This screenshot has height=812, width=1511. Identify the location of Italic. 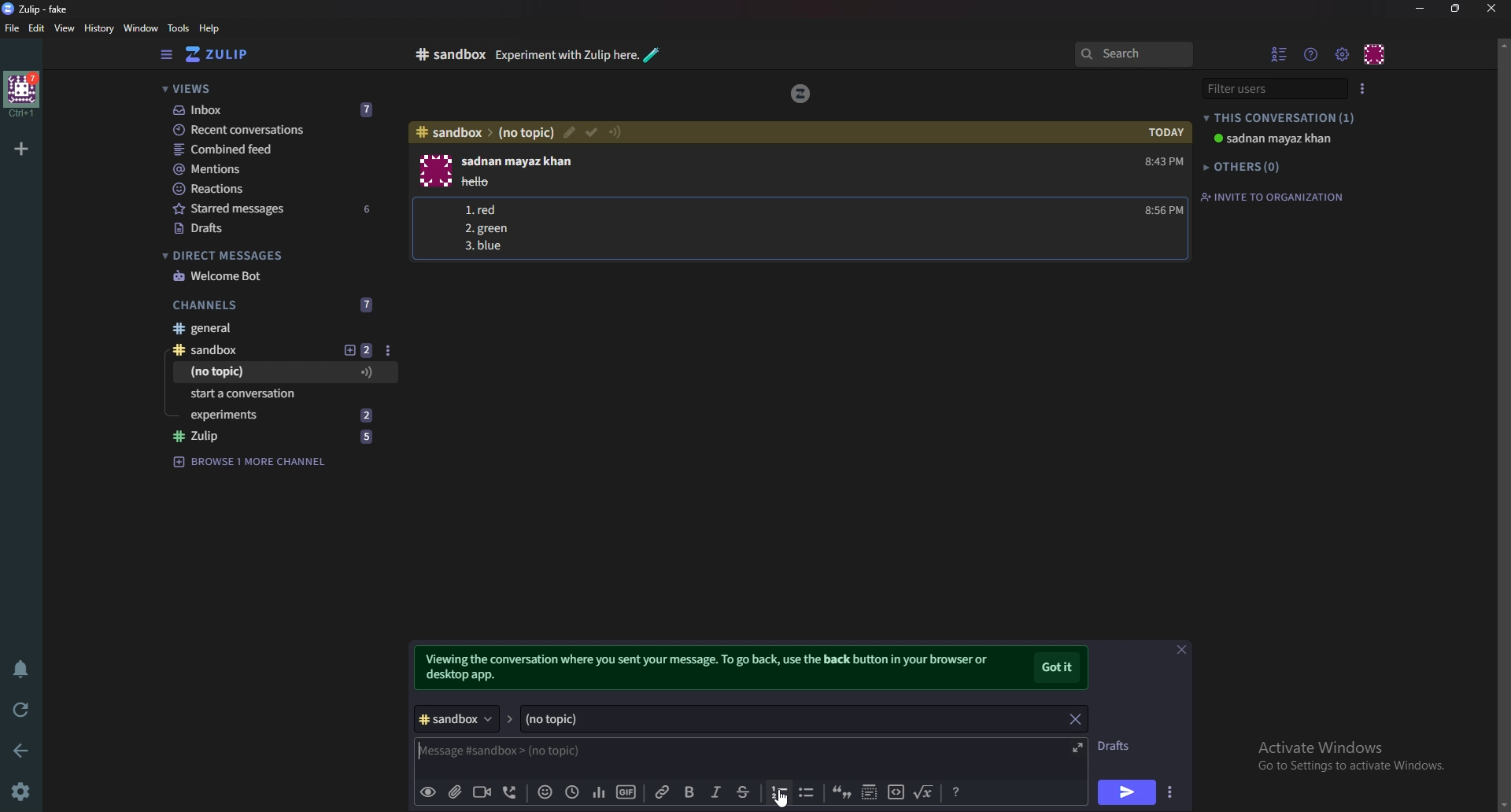
(715, 795).